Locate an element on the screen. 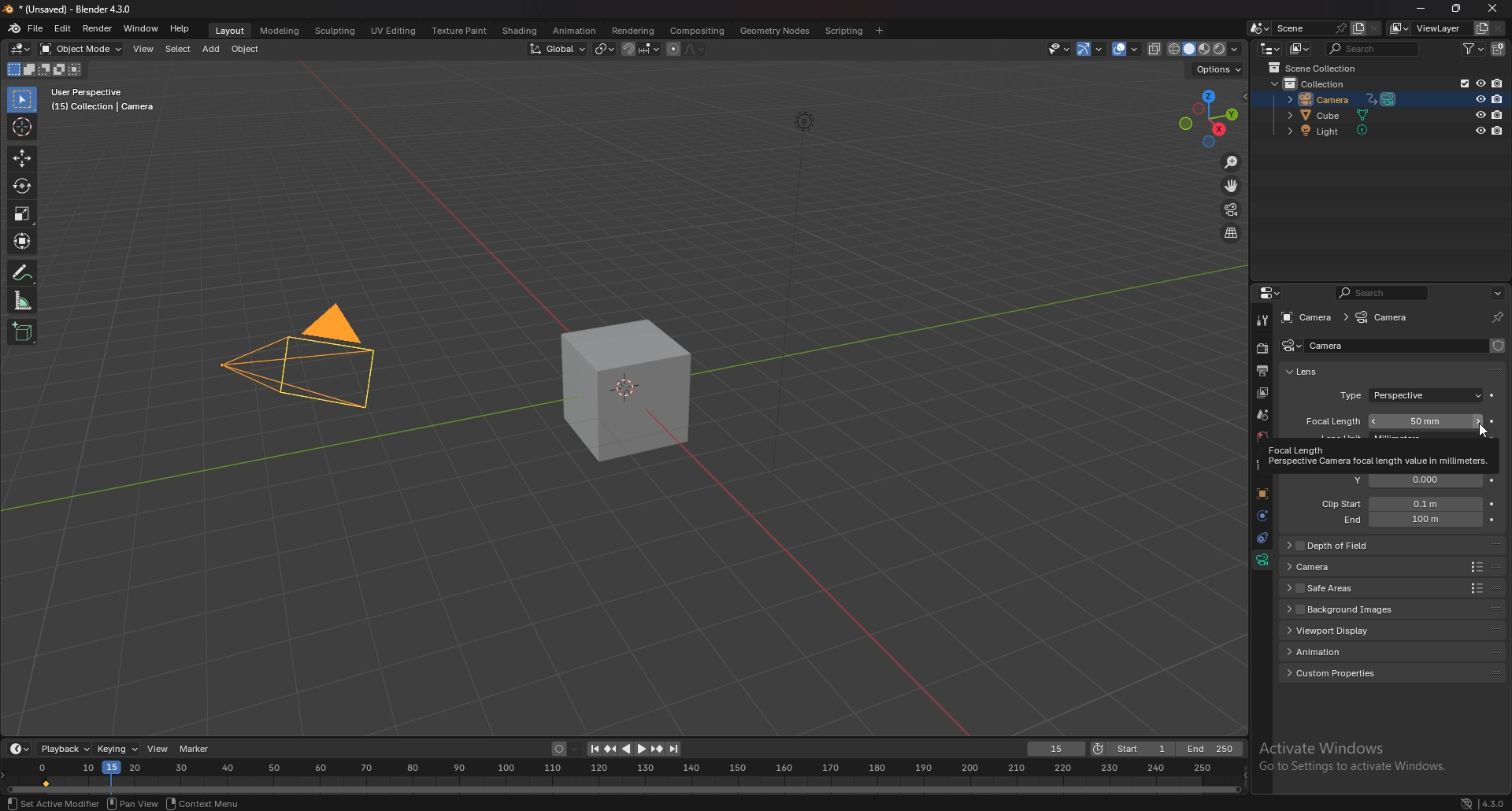  move is located at coordinates (23, 157).